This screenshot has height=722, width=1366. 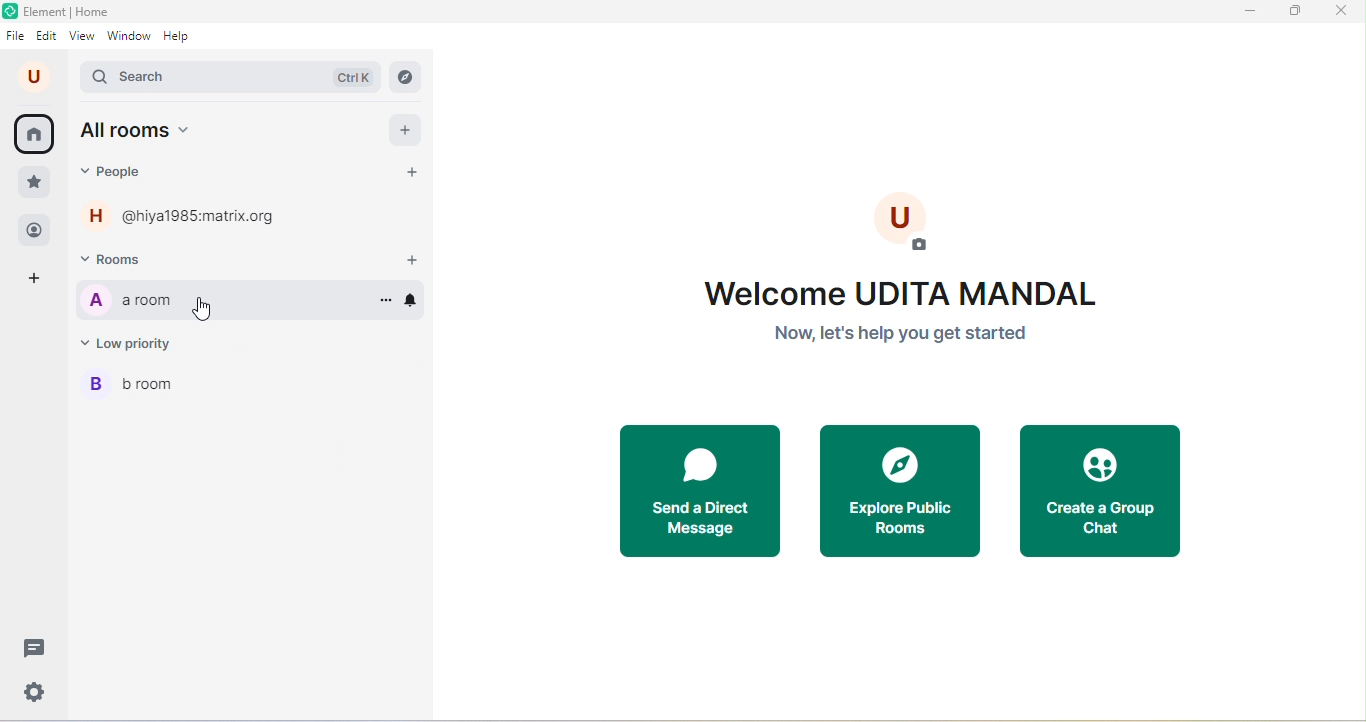 What do you see at coordinates (899, 491) in the screenshot?
I see `explore public rooms` at bounding box center [899, 491].